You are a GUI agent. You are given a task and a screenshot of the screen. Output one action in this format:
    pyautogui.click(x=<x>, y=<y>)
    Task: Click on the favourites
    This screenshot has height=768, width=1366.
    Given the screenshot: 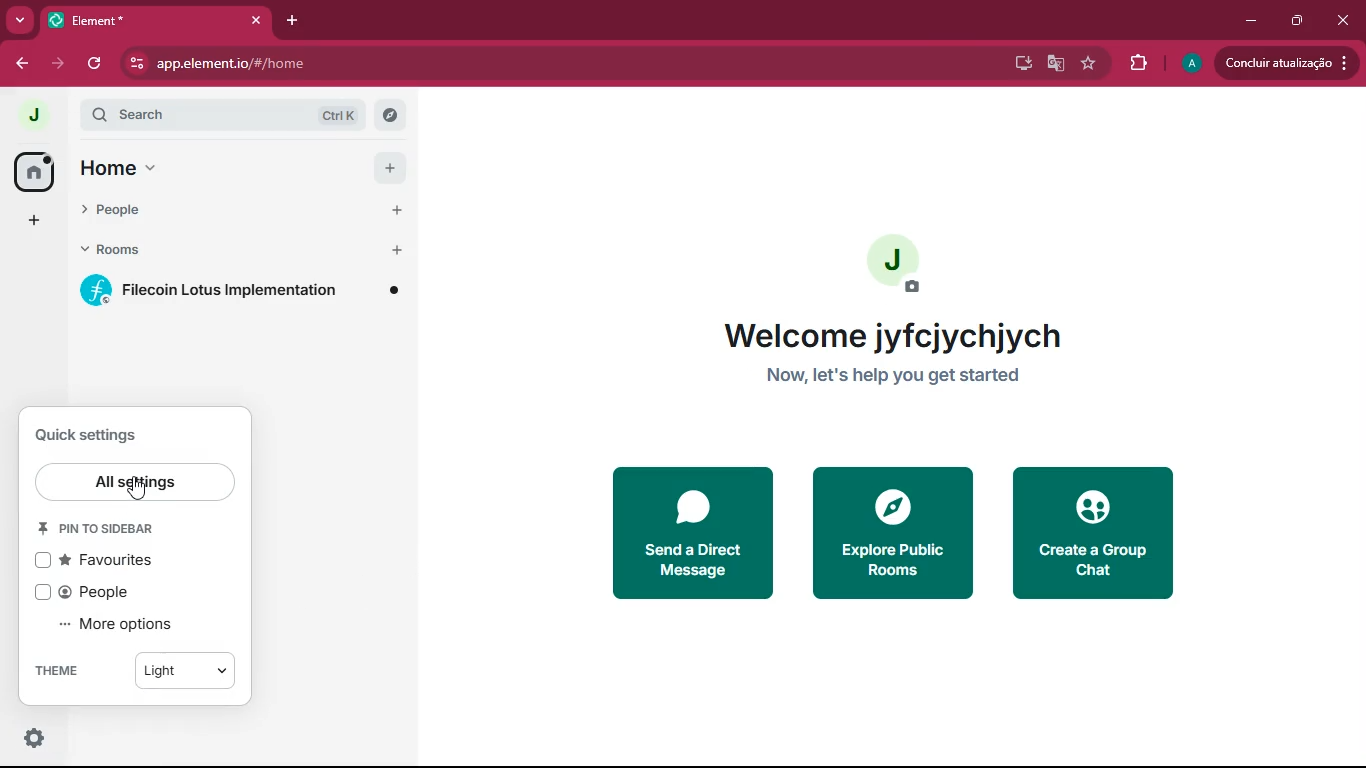 What is the action you would take?
    pyautogui.click(x=105, y=561)
    